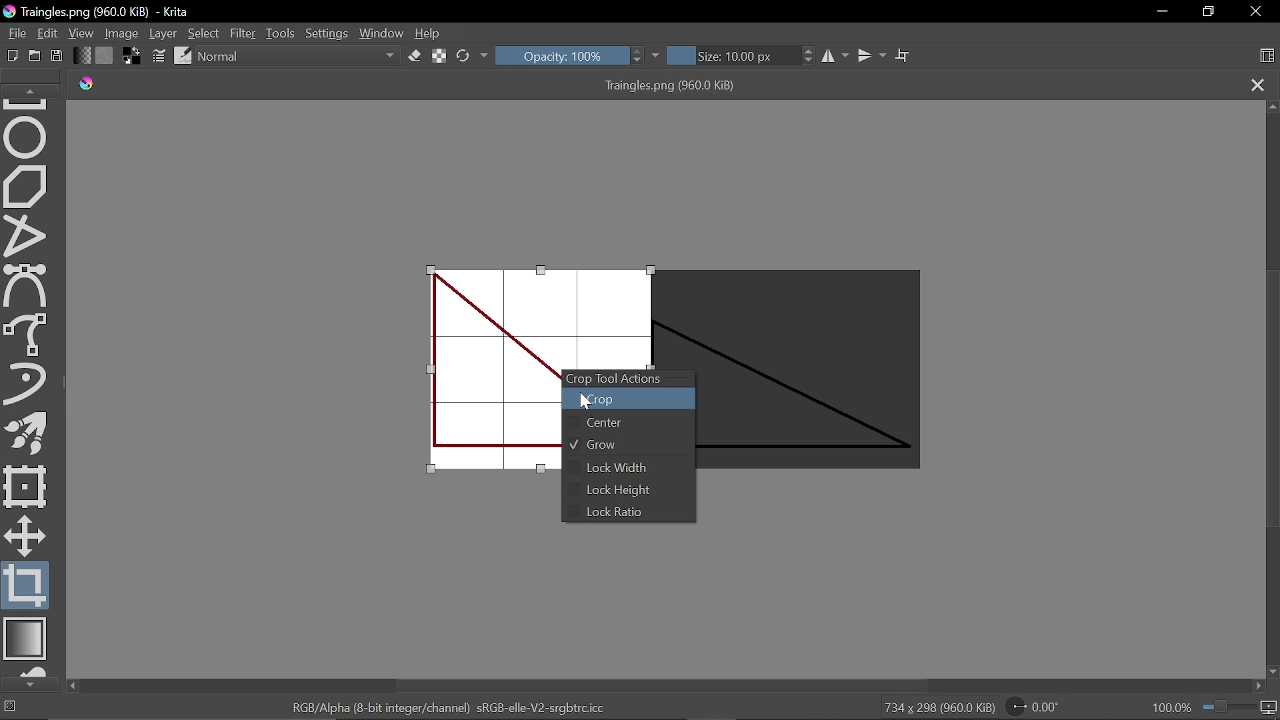  What do you see at coordinates (613, 488) in the screenshot?
I see `Lock height` at bounding box center [613, 488].